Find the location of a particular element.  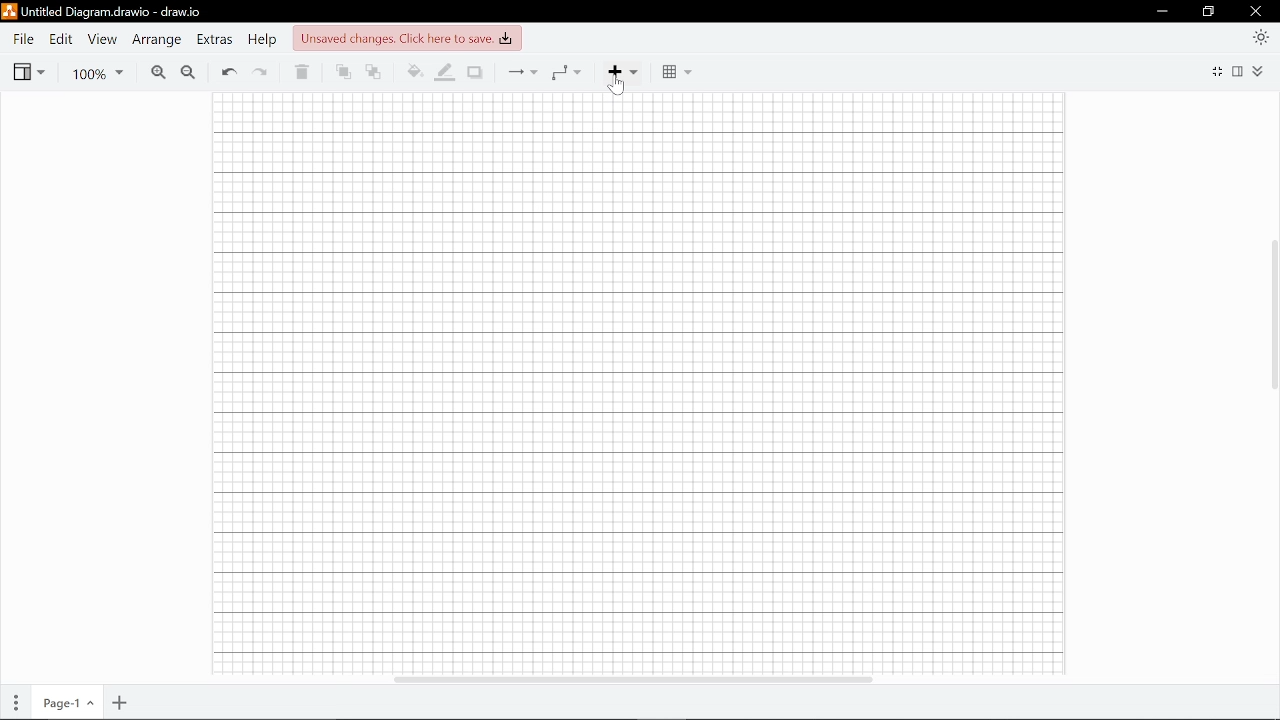

Add page is located at coordinates (120, 705).